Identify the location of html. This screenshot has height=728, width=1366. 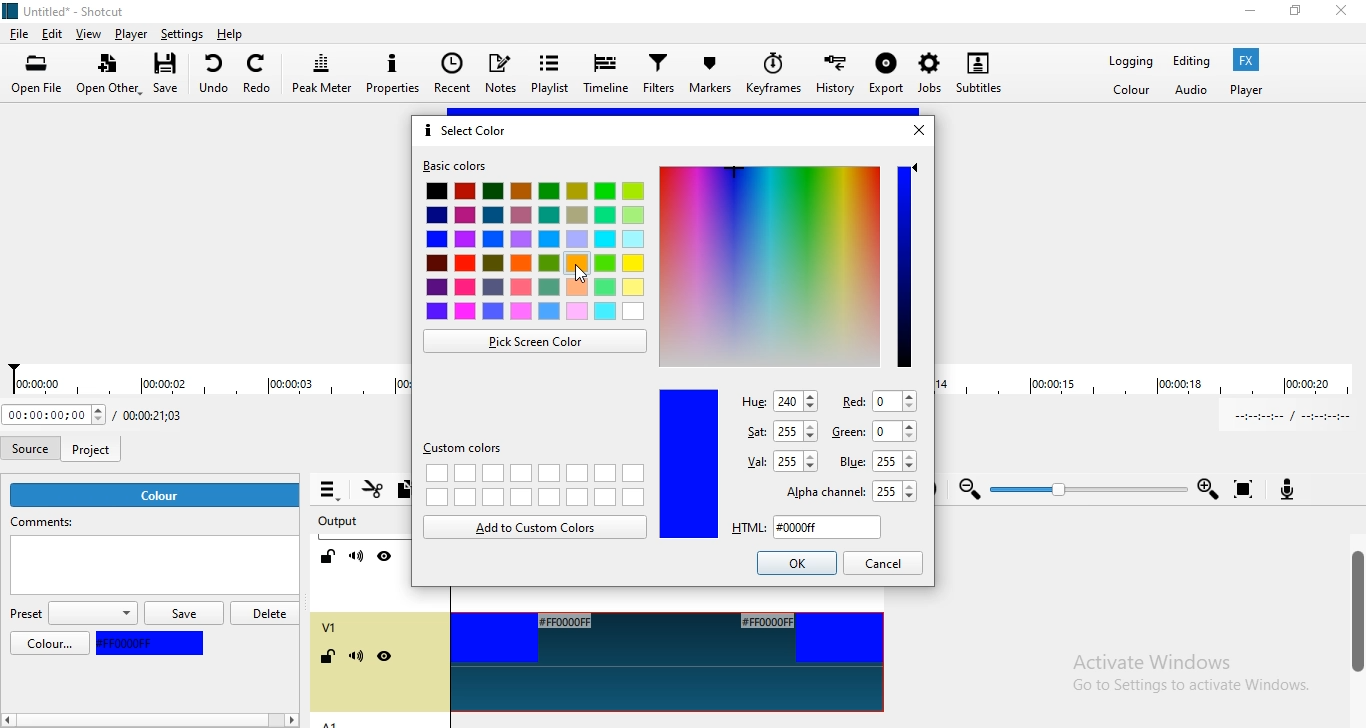
(802, 528).